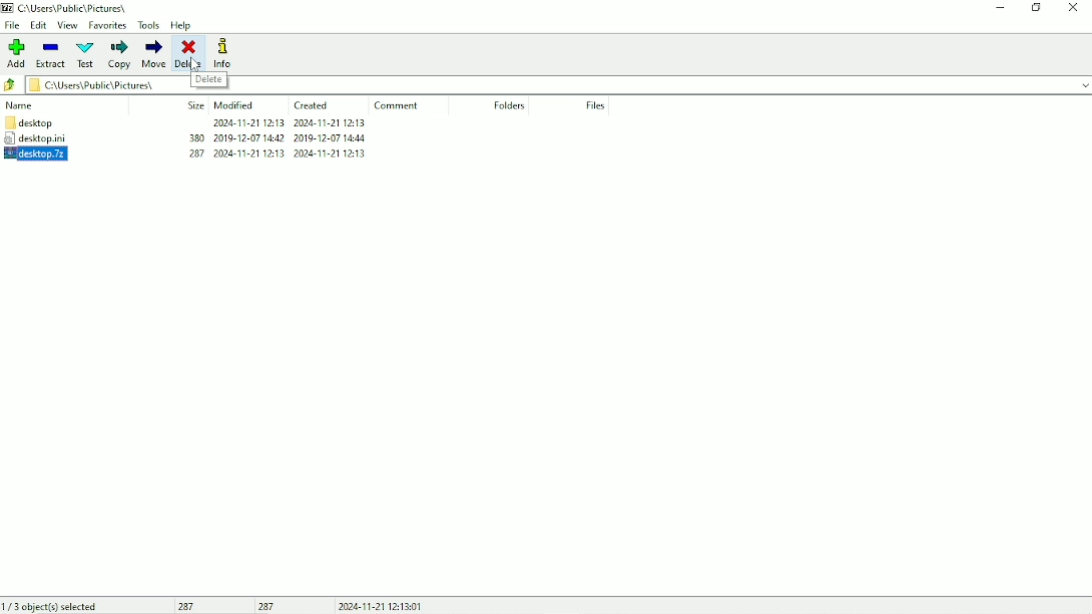 The height and width of the screenshot is (614, 1092). What do you see at coordinates (271, 151) in the screenshot?
I see `87 2004-11-21 1213 2048-11-21 1213` at bounding box center [271, 151].